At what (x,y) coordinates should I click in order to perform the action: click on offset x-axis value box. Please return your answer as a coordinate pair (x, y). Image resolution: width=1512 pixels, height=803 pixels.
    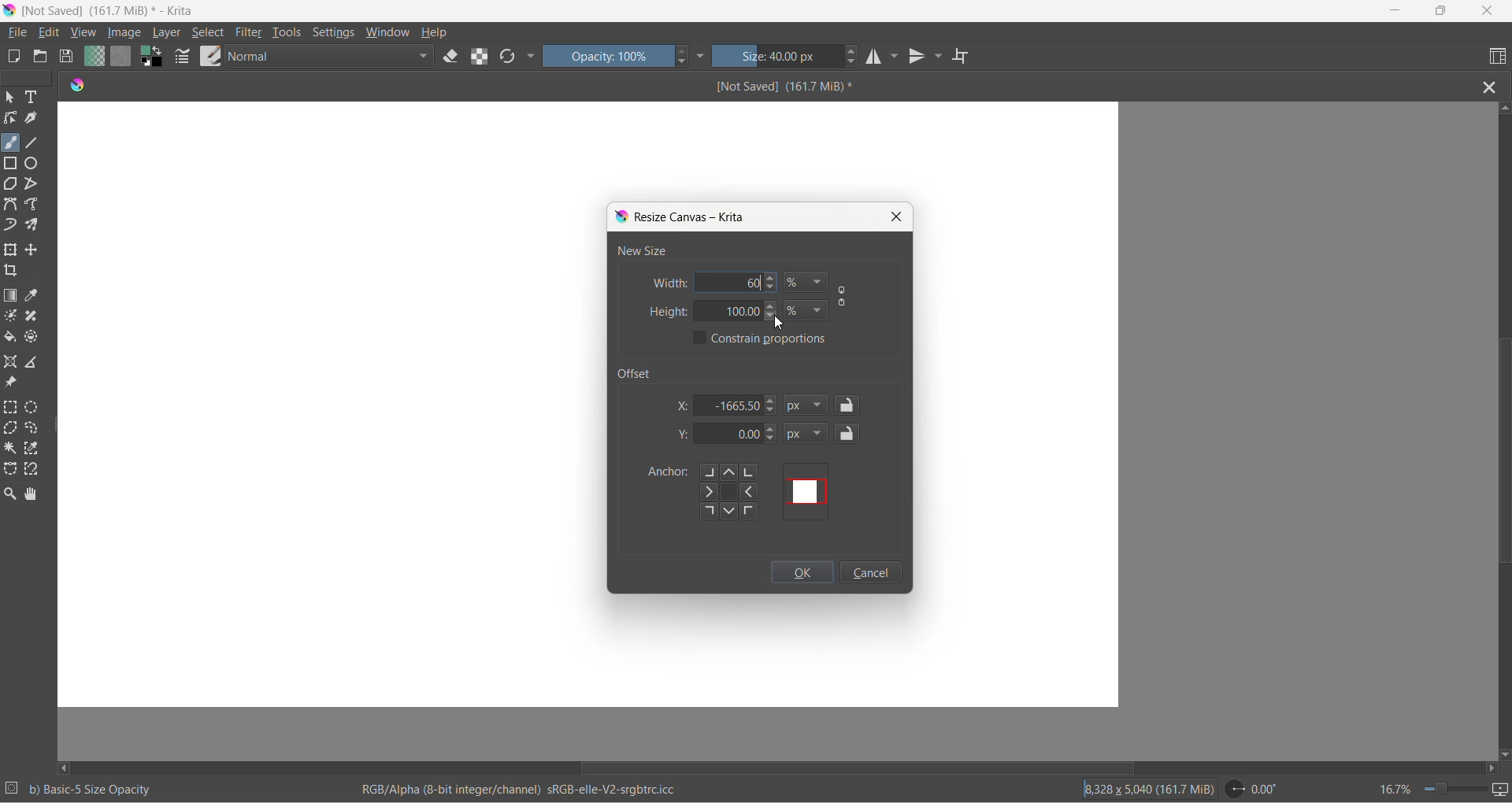
    Looking at the image, I should click on (731, 405).